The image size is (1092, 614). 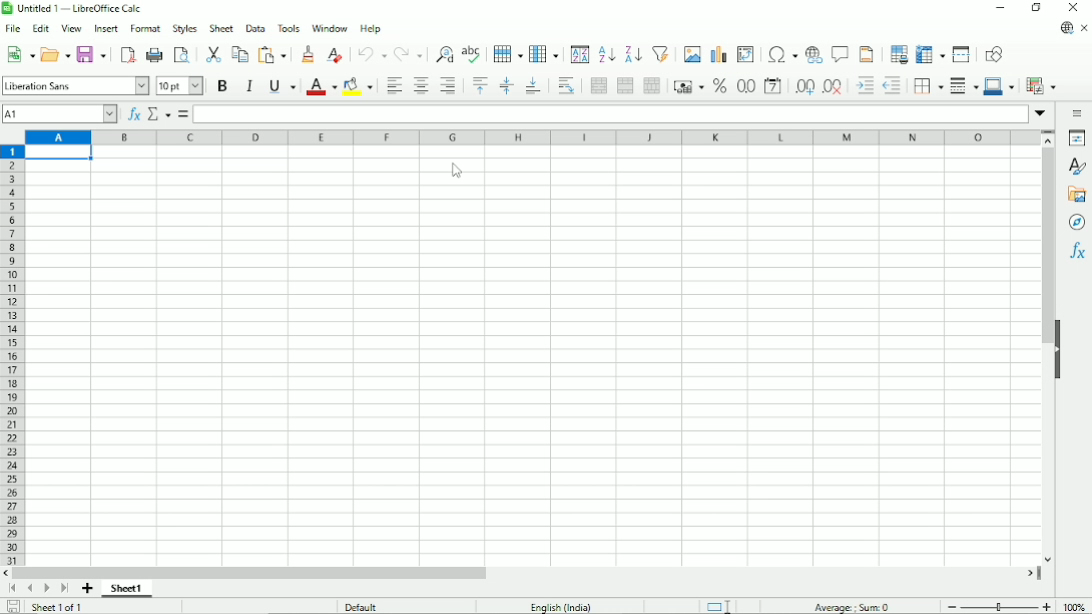 What do you see at coordinates (1061, 350) in the screenshot?
I see `Hide` at bounding box center [1061, 350].